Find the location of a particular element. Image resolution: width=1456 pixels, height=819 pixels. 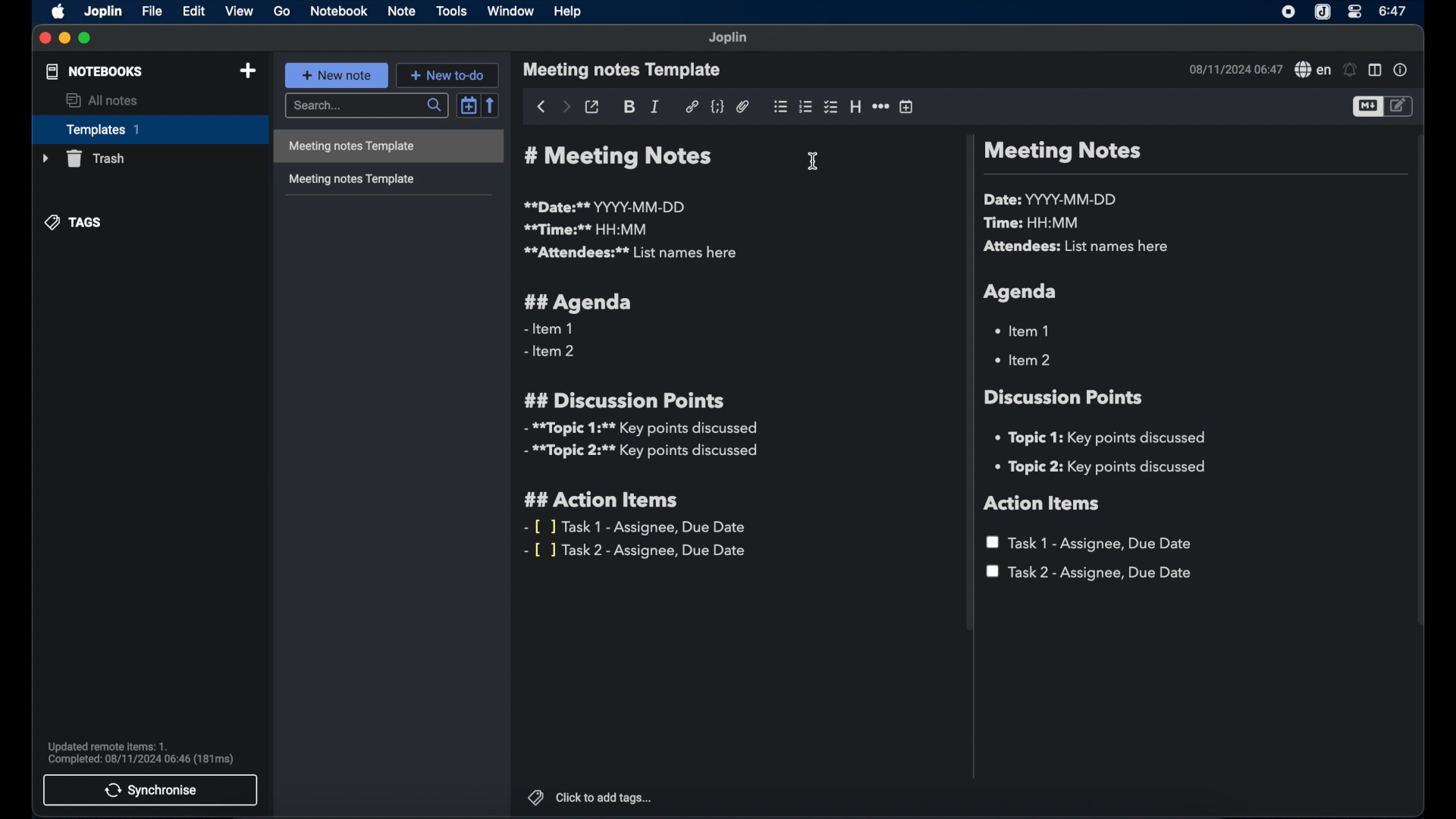

item 1 is located at coordinates (1025, 330).